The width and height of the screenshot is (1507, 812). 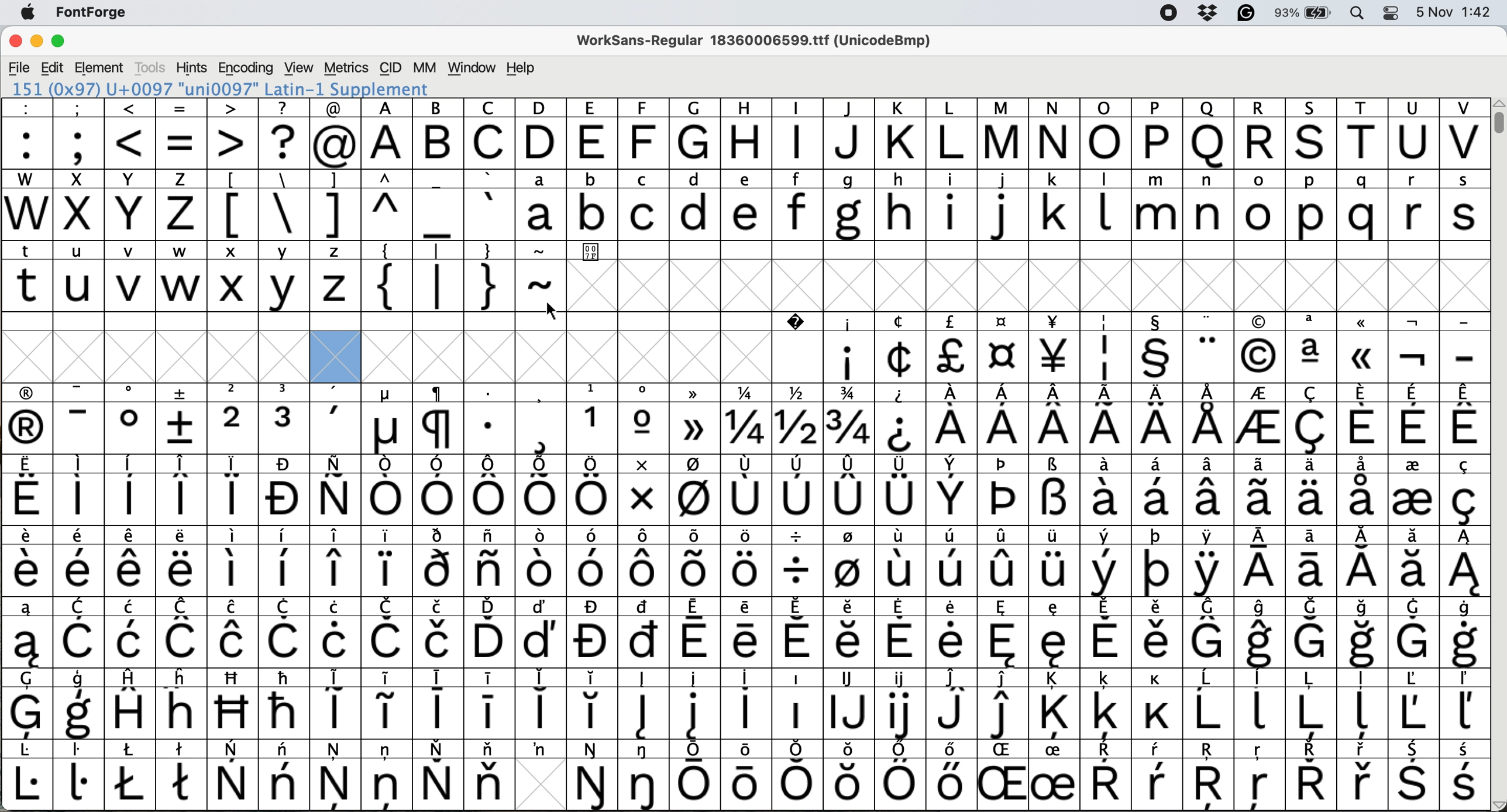 I want to click on symbol, so click(x=284, y=703).